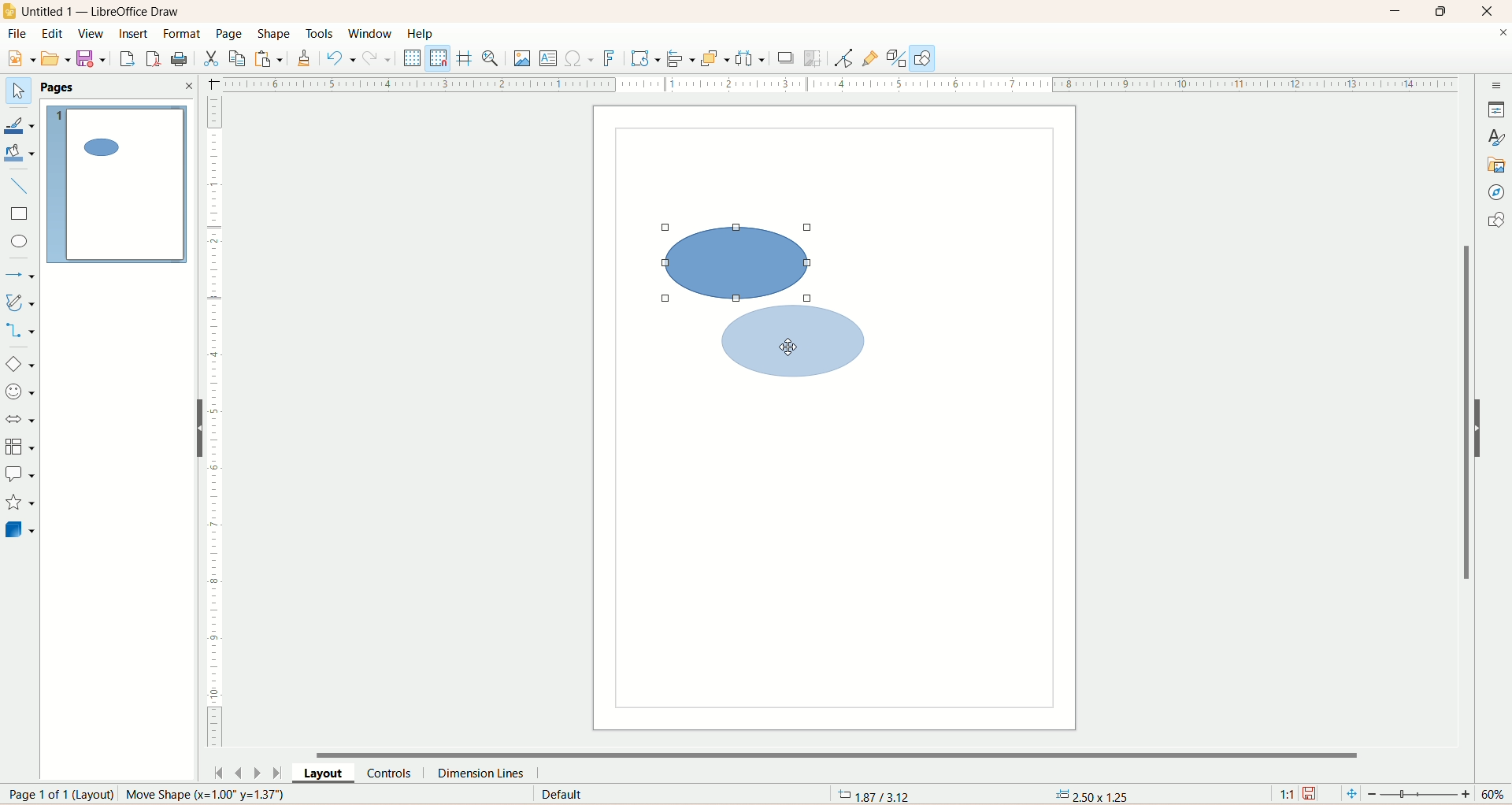 The height and width of the screenshot is (805, 1512). I want to click on dimension lines, so click(493, 772).